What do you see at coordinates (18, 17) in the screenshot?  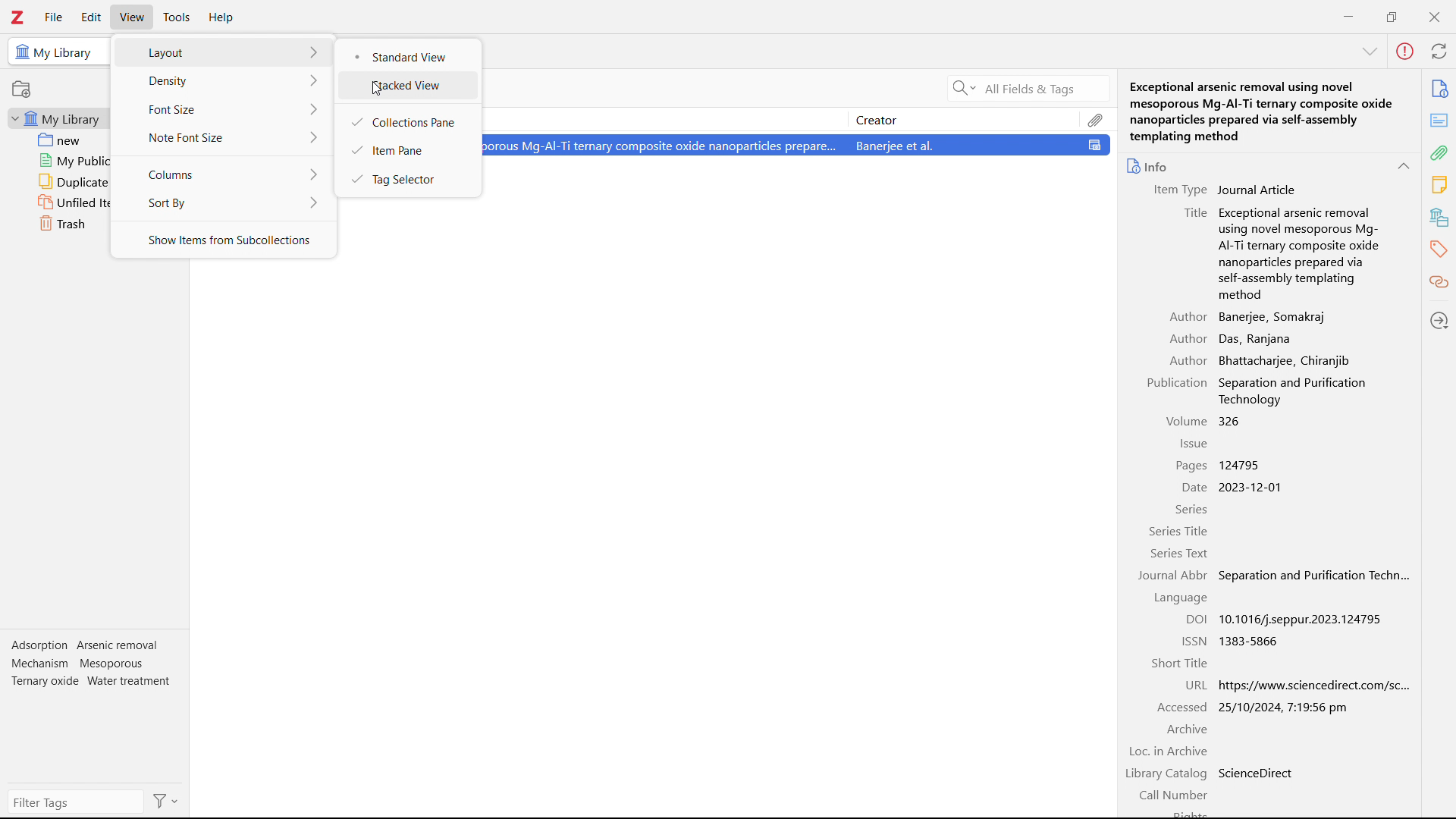 I see `logo` at bounding box center [18, 17].